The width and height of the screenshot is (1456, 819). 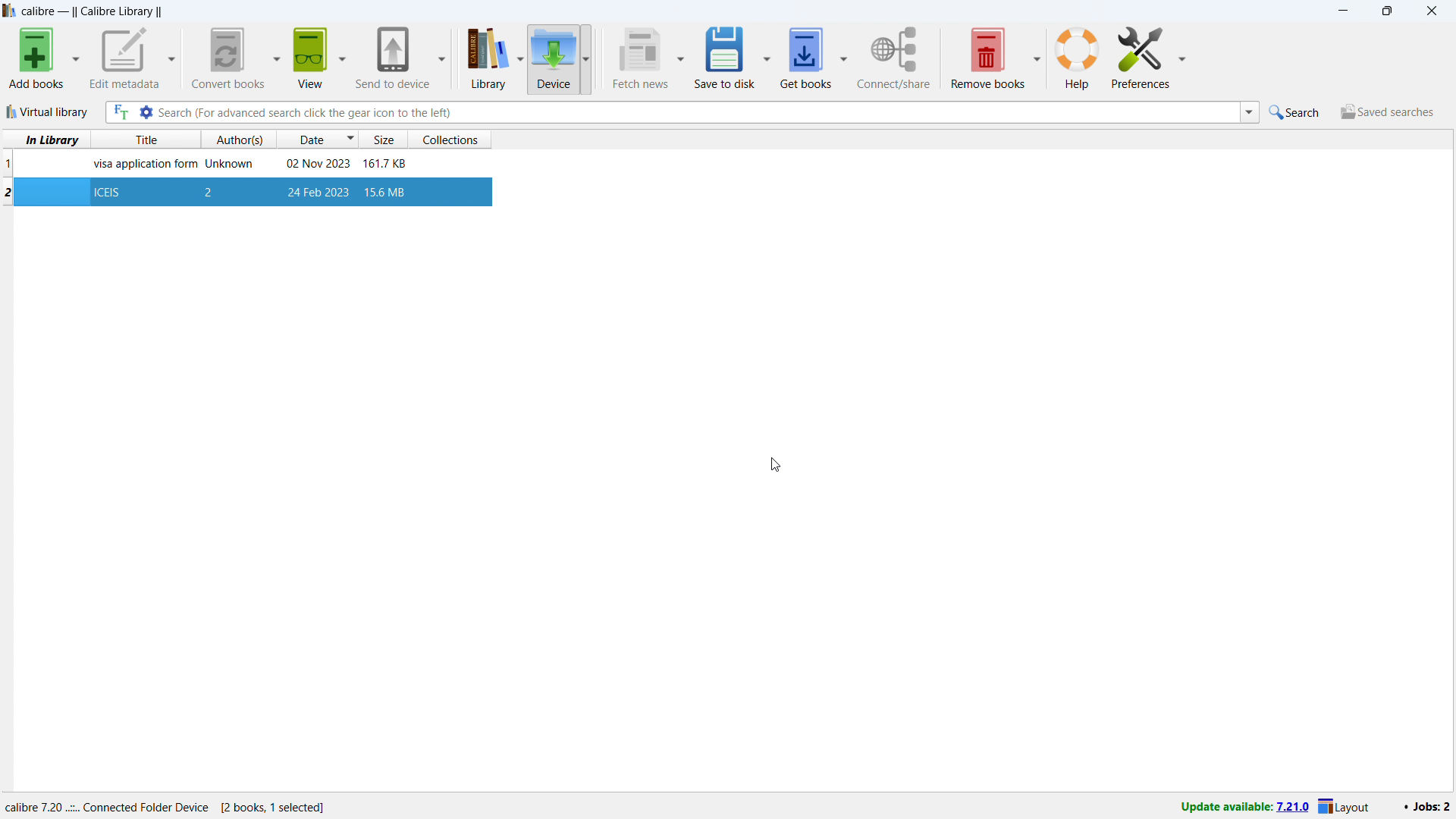 What do you see at coordinates (681, 60) in the screenshot?
I see `fetch news options` at bounding box center [681, 60].